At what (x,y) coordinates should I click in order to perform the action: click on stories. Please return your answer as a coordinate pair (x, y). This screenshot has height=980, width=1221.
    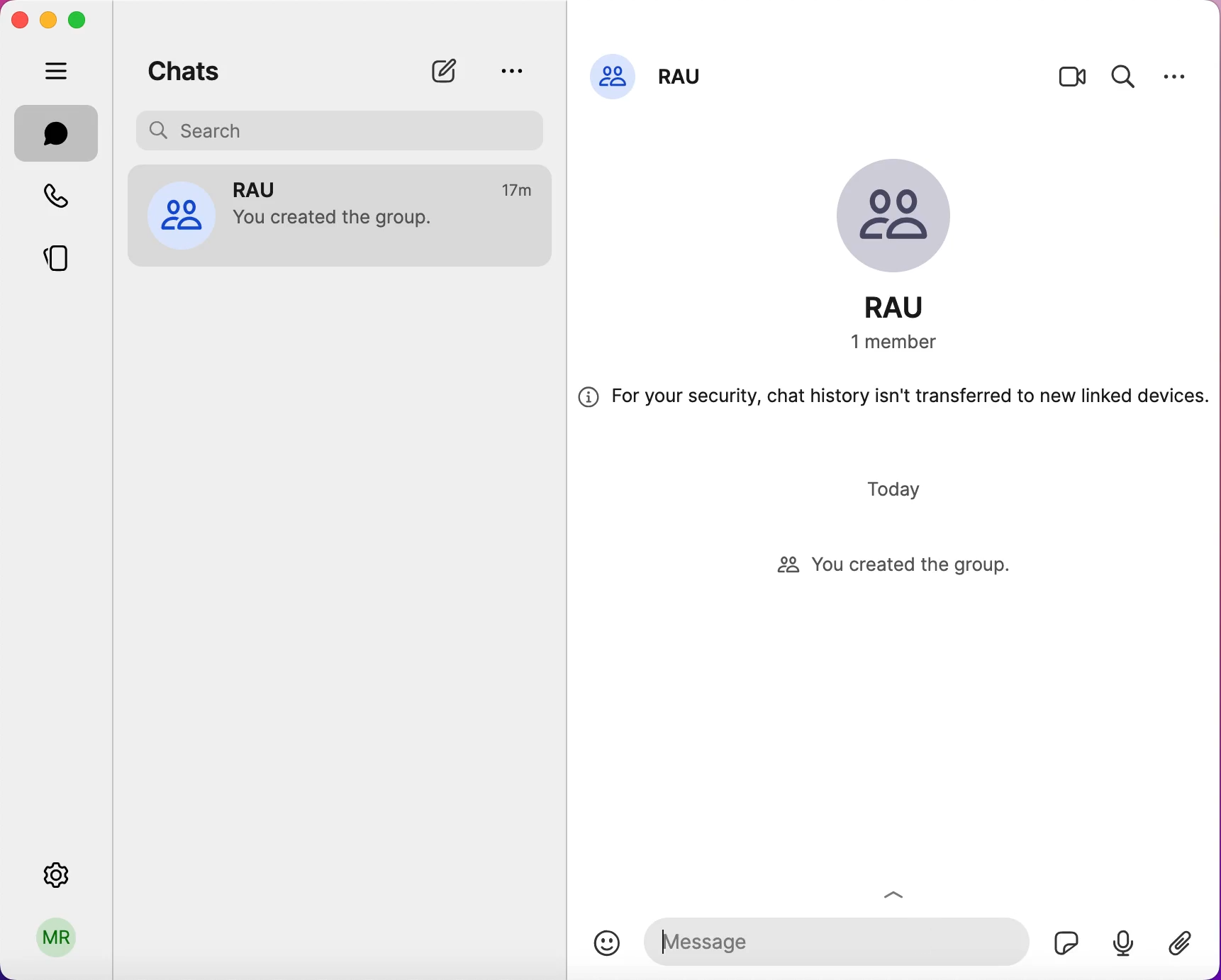
    Looking at the image, I should click on (67, 253).